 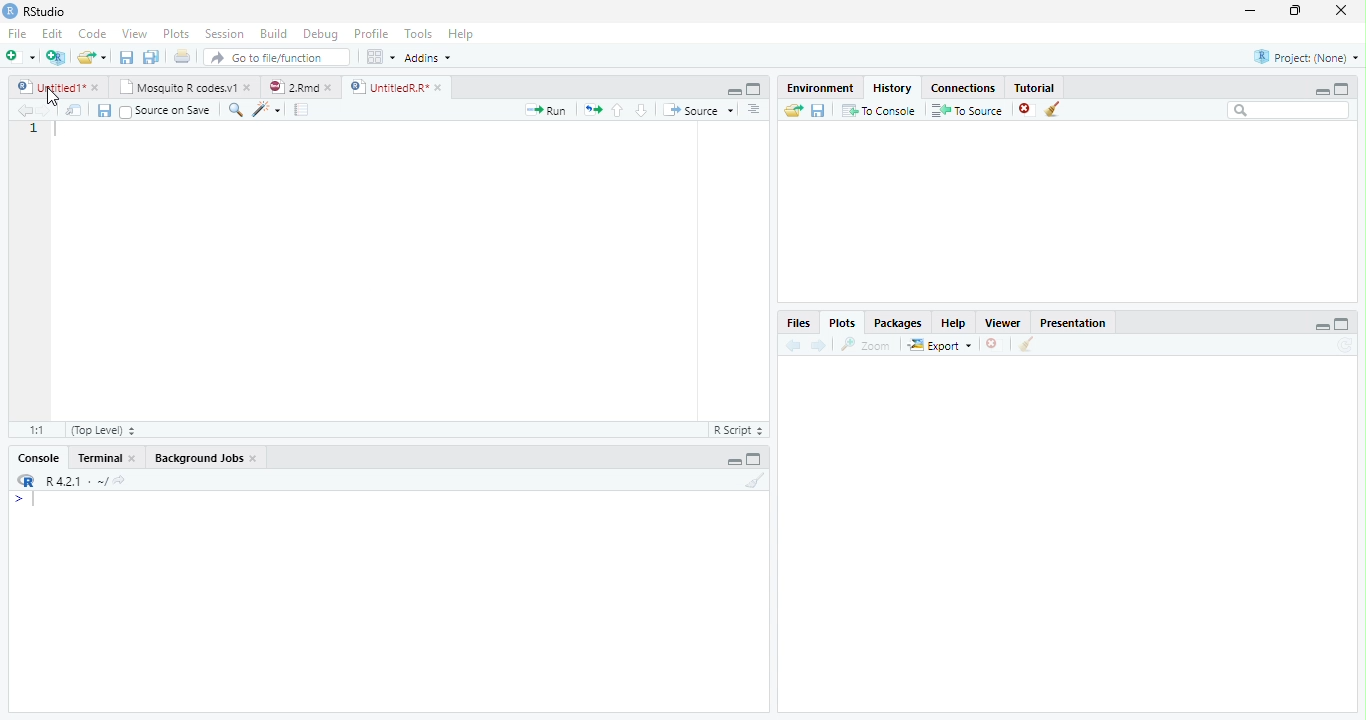 What do you see at coordinates (46, 87) in the screenshot?
I see `Untitled1` at bounding box center [46, 87].